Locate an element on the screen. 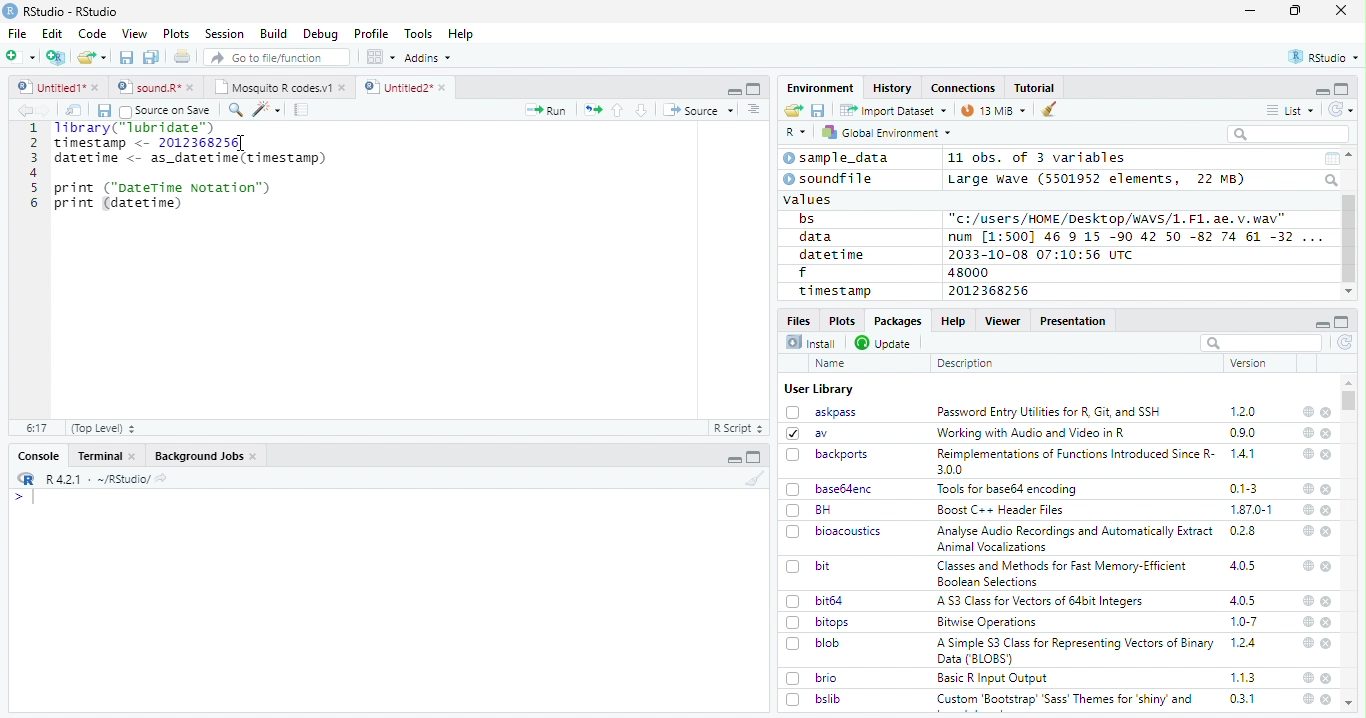 This screenshot has width=1366, height=718. minimize is located at coordinates (1321, 322).